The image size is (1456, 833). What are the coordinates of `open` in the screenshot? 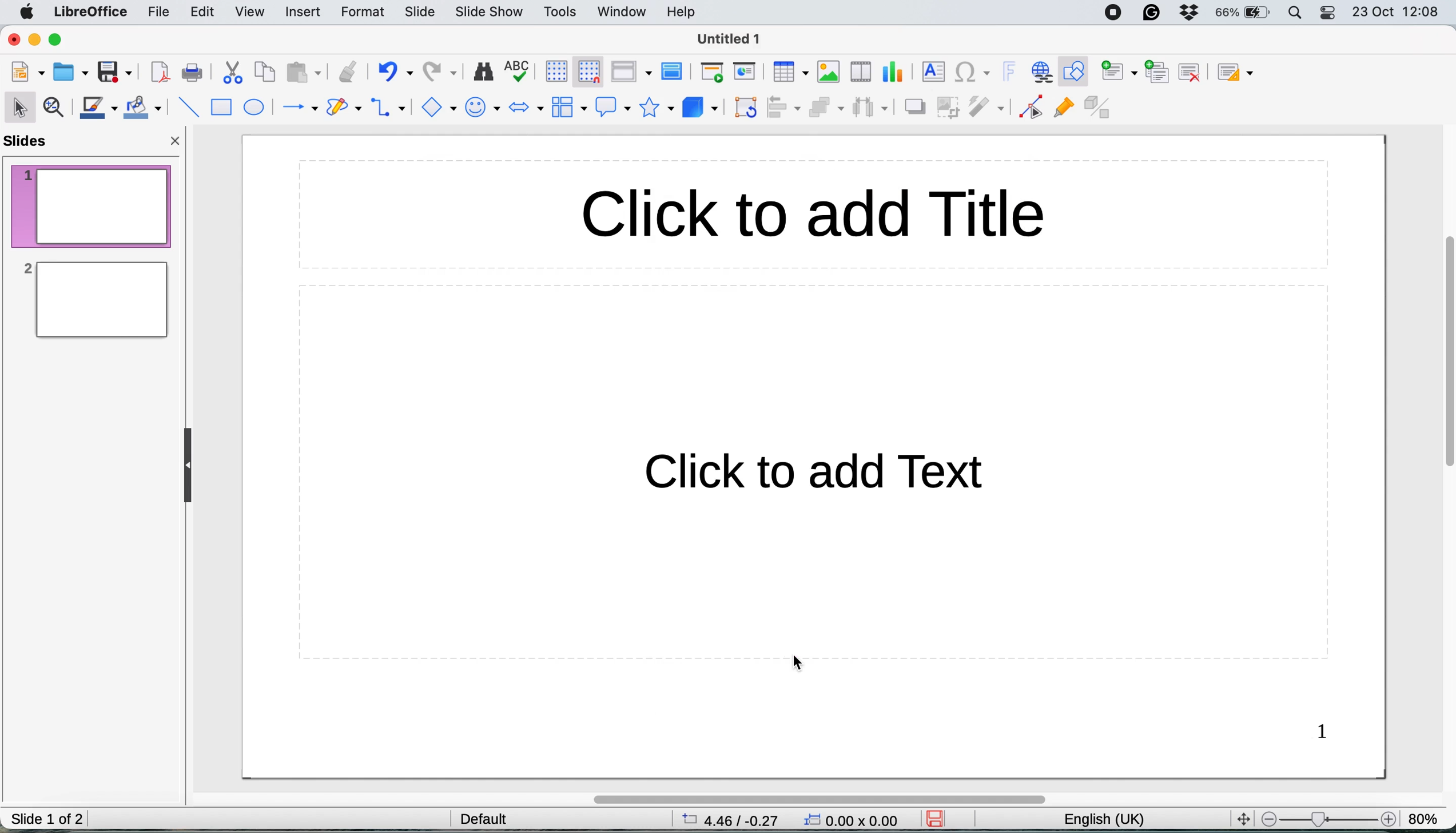 It's located at (71, 70).